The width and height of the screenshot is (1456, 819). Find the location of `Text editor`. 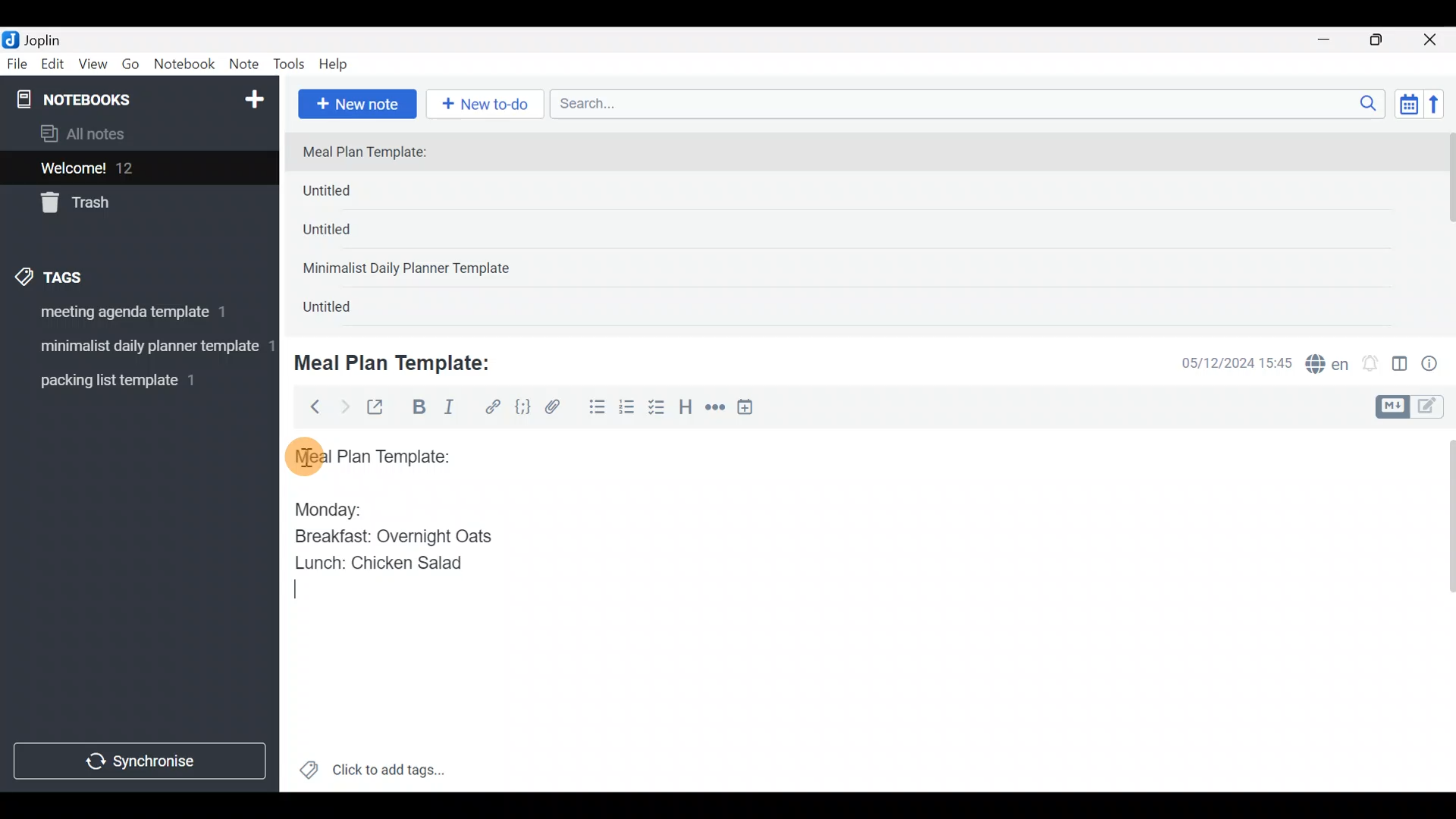

Text editor is located at coordinates (846, 693).